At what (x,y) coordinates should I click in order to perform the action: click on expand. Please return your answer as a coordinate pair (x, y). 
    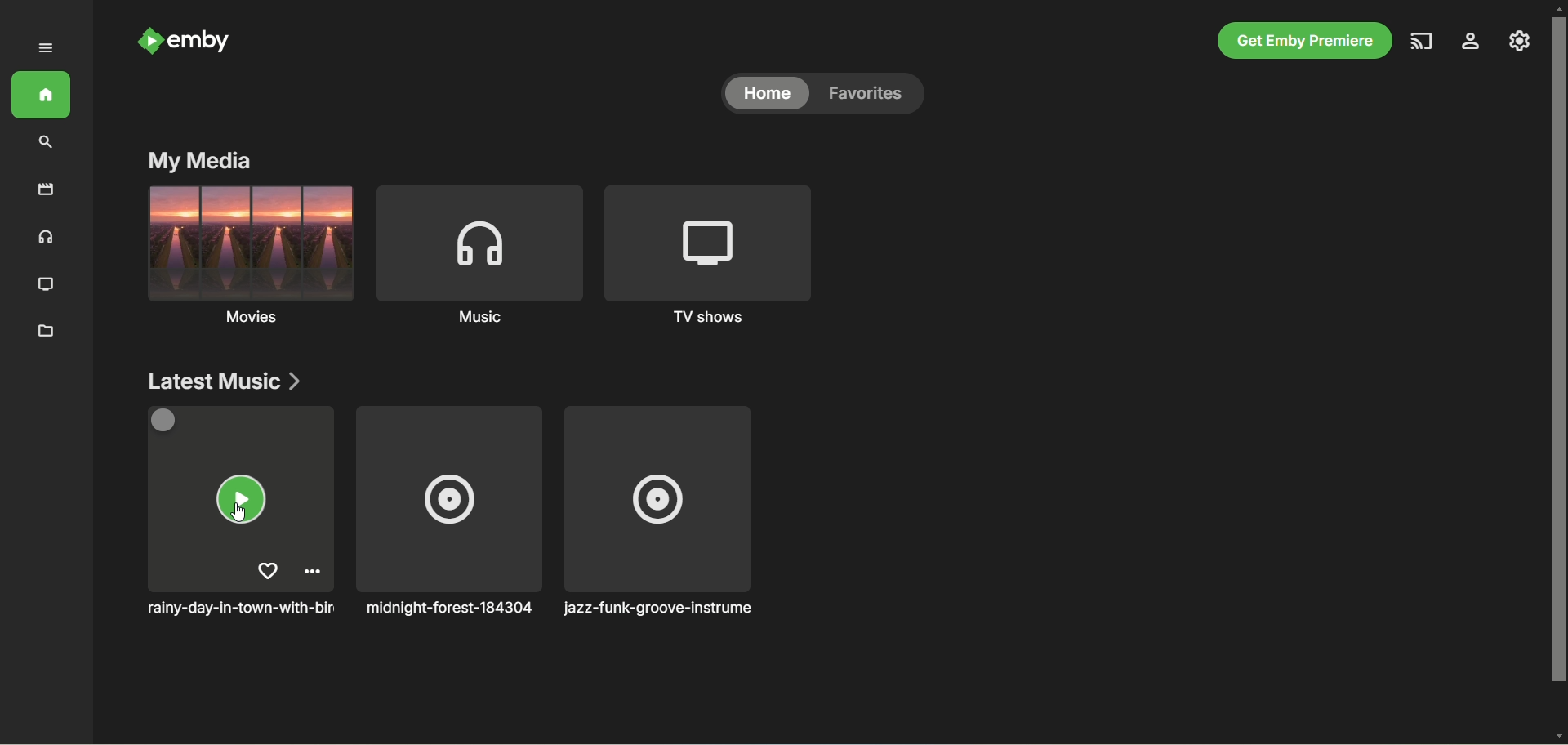
    Looking at the image, I should click on (45, 48).